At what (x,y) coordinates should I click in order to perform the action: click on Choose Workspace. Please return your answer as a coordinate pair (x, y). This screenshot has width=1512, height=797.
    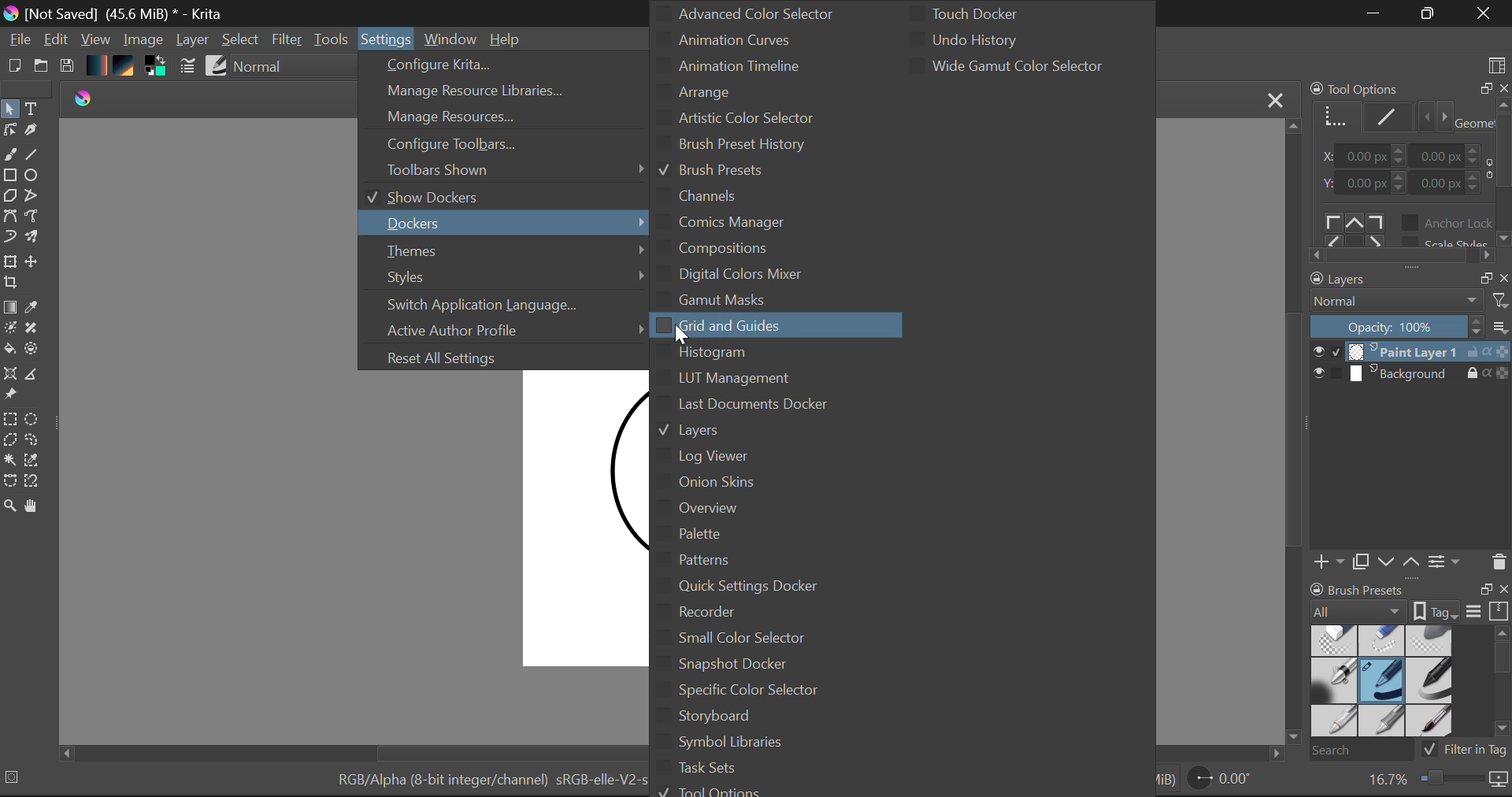
    Looking at the image, I should click on (1498, 64).